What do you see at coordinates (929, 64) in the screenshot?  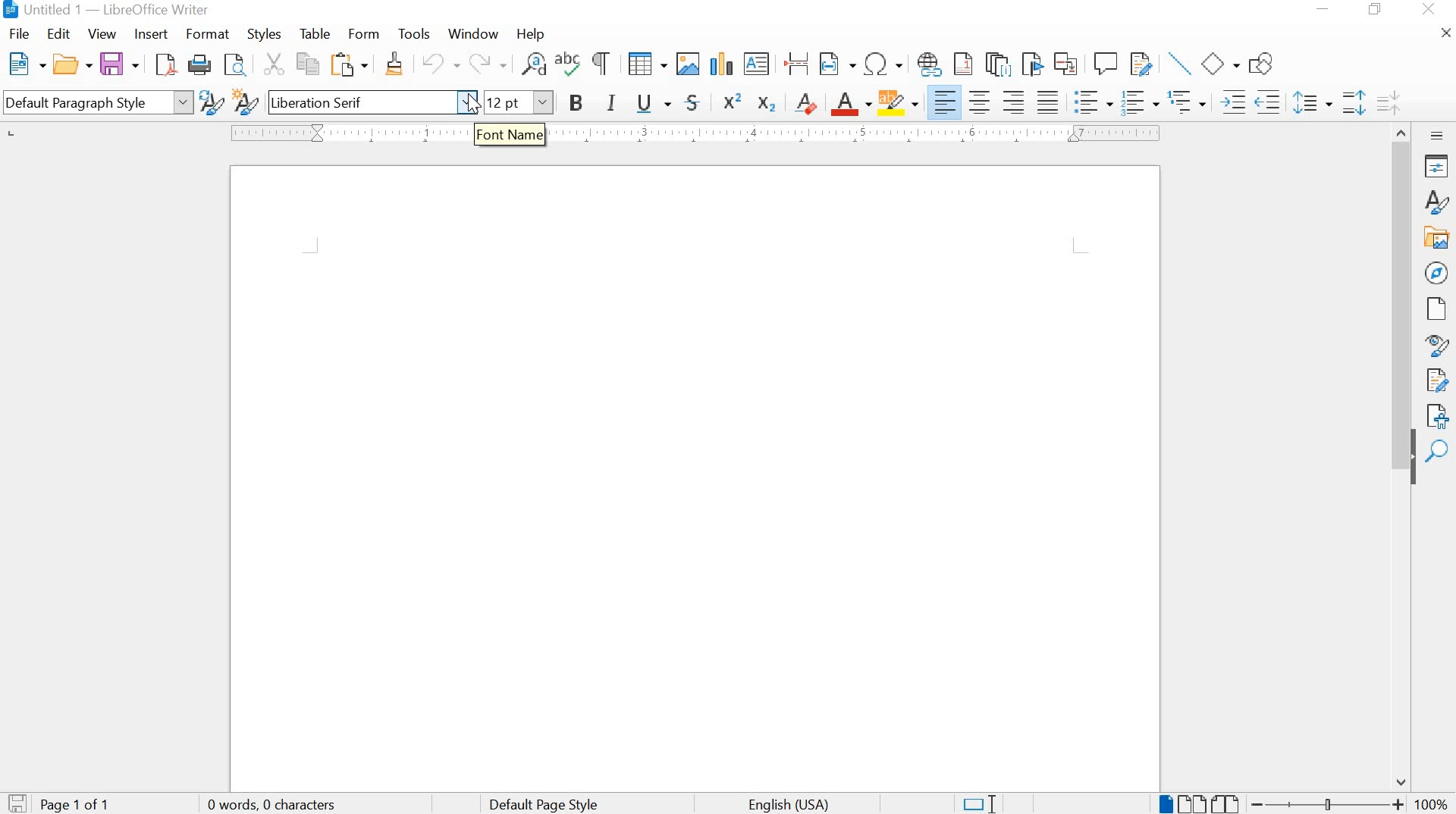 I see `INSERT HYPERLINK` at bounding box center [929, 64].